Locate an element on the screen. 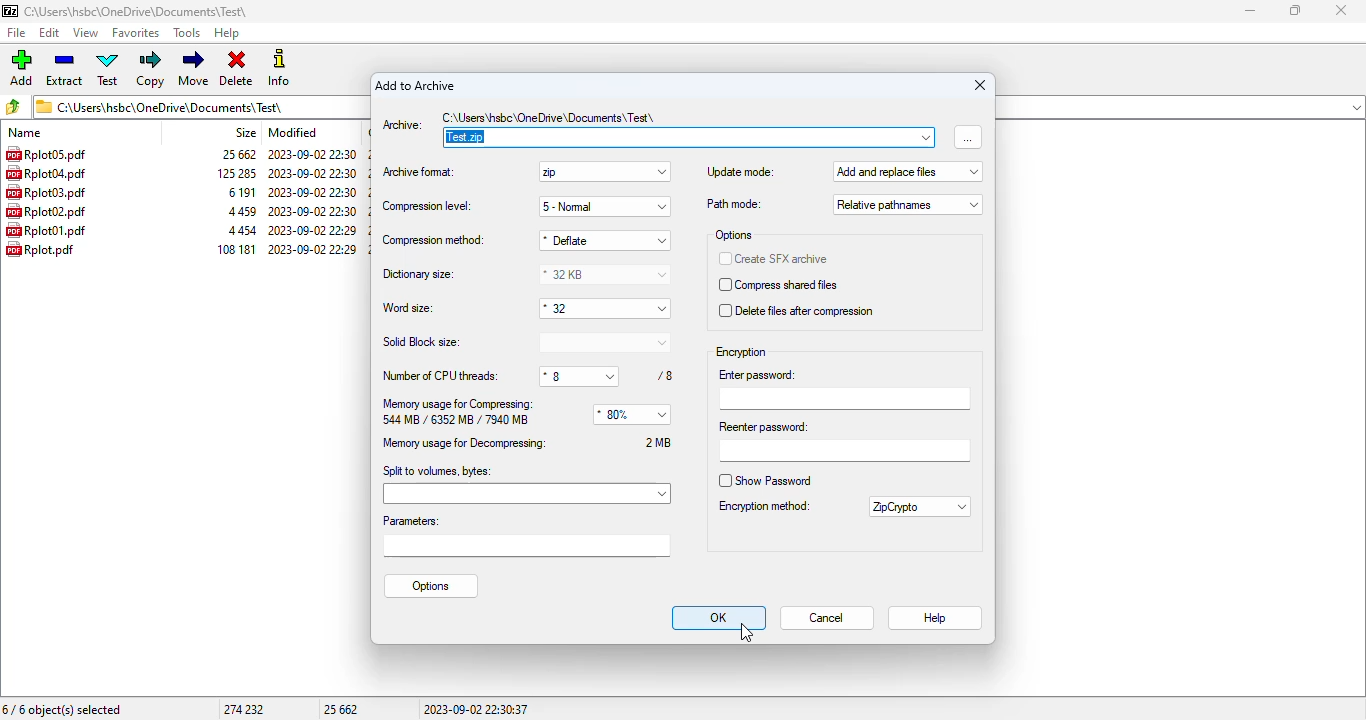  create SFX archive is located at coordinates (774, 259).